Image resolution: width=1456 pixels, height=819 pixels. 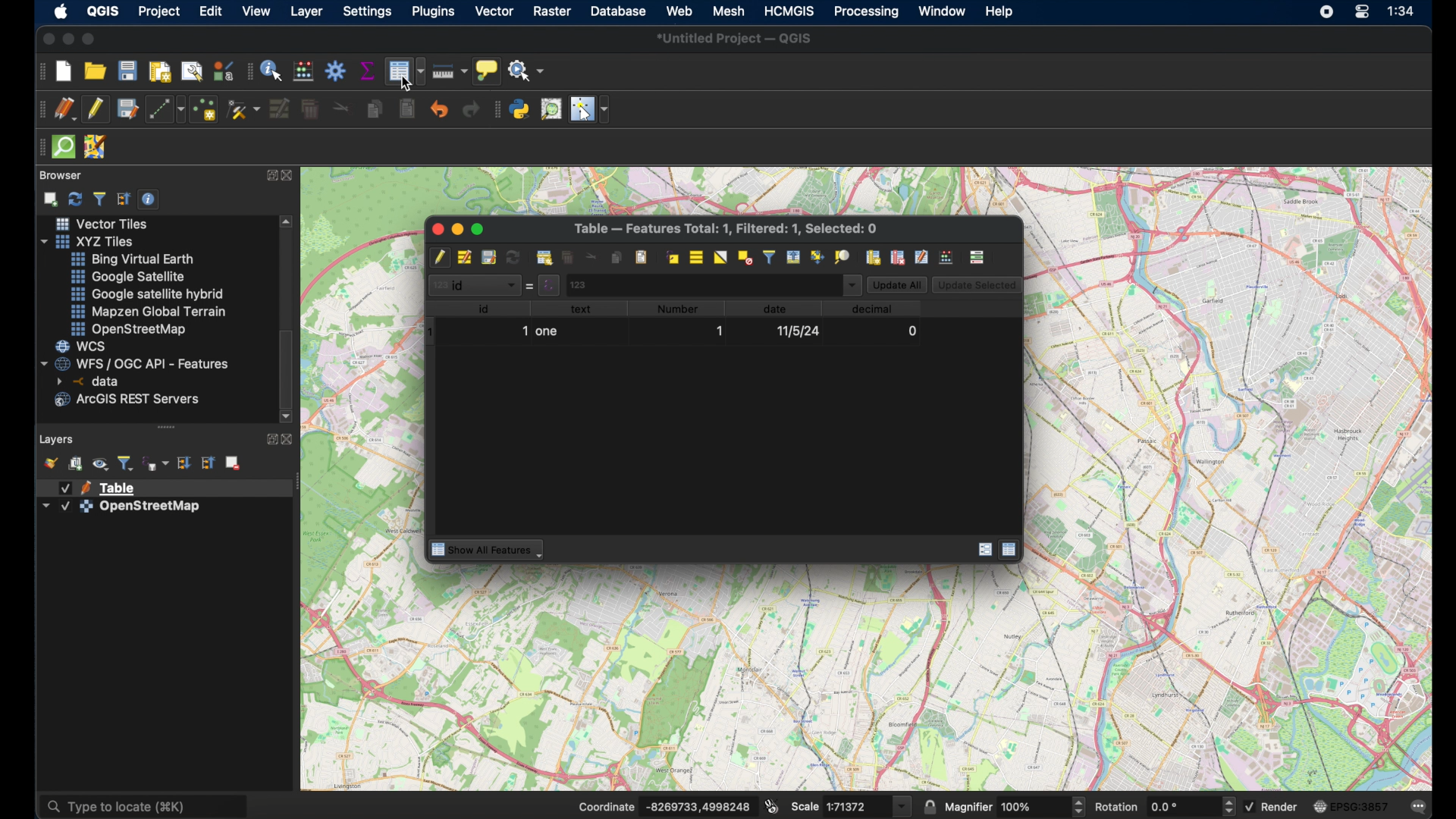 I want to click on =, so click(x=531, y=285).